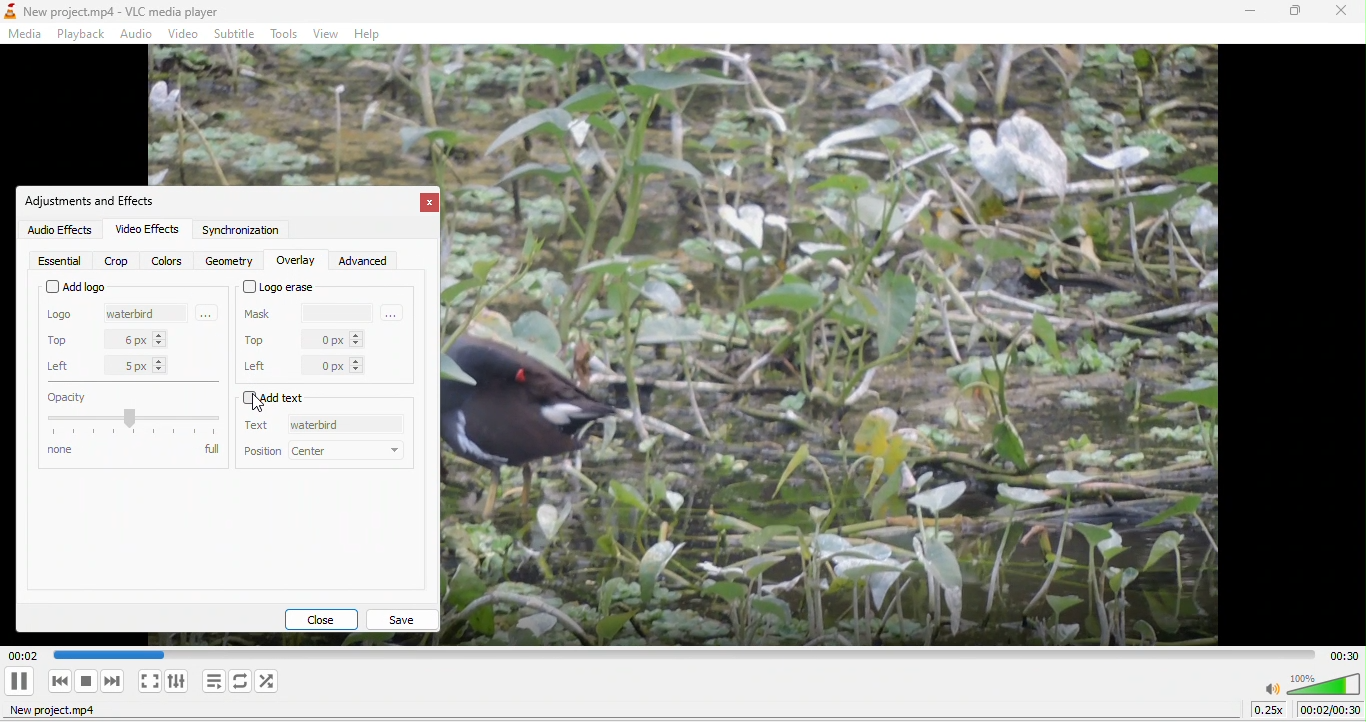 The image size is (1366, 722). What do you see at coordinates (264, 402) in the screenshot?
I see `cursor movement` at bounding box center [264, 402].